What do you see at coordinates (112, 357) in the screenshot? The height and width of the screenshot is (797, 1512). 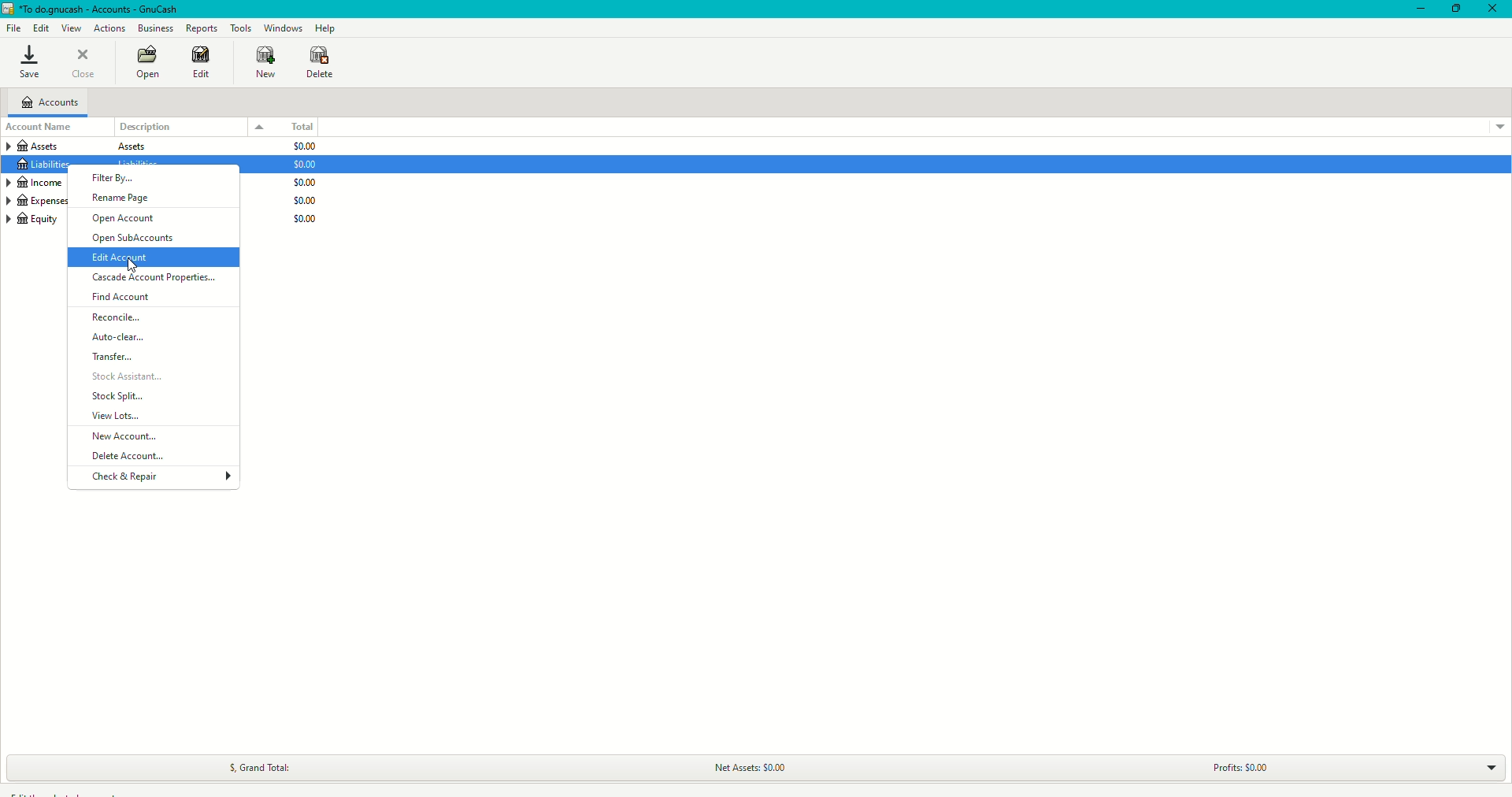 I see `Transfer` at bounding box center [112, 357].